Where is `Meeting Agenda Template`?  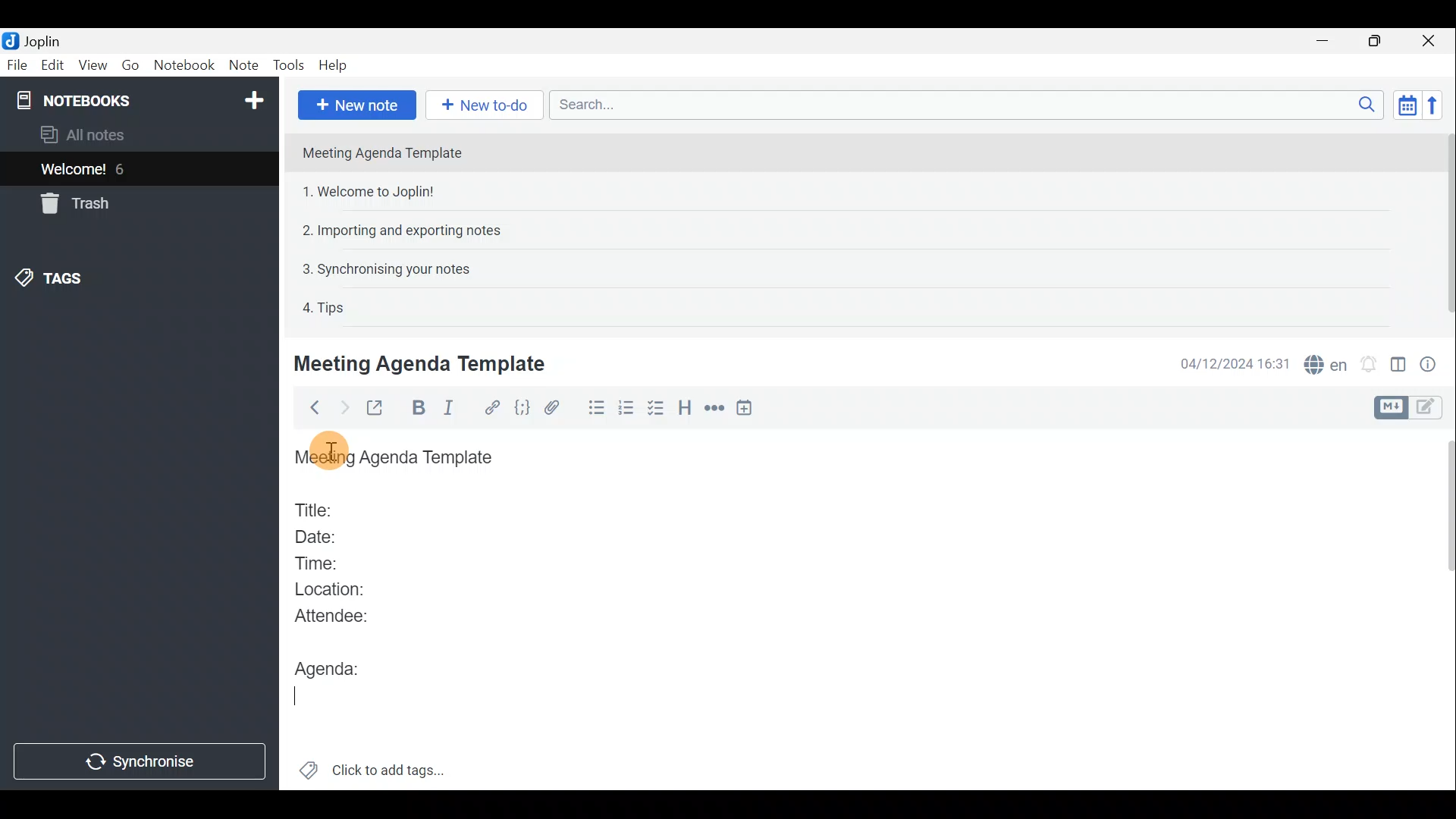
Meeting Agenda Template is located at coordinates (384, 152).